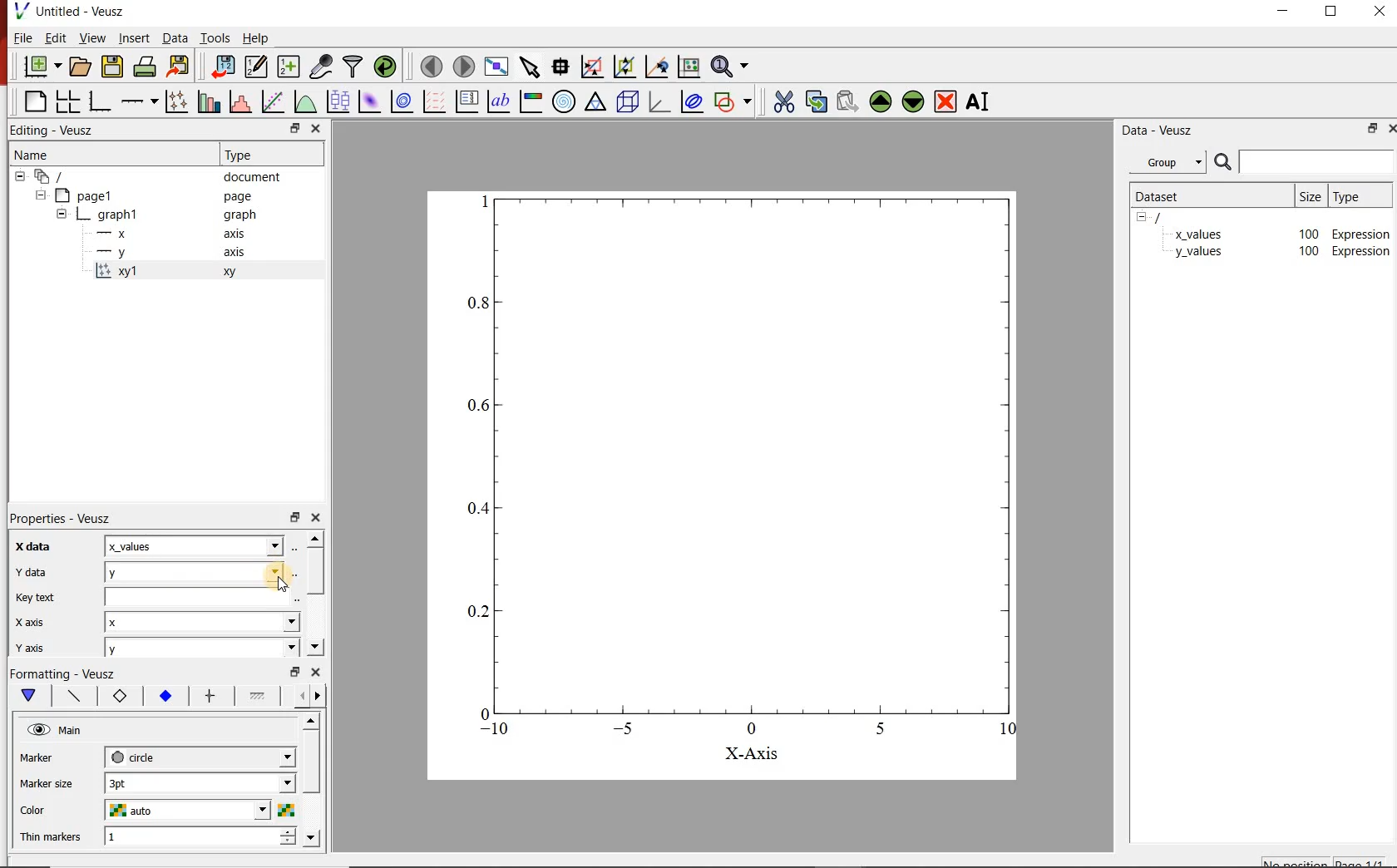 The width and height of the screenshot is (1397, 868). I want to click on Marker, so click(37, 757).